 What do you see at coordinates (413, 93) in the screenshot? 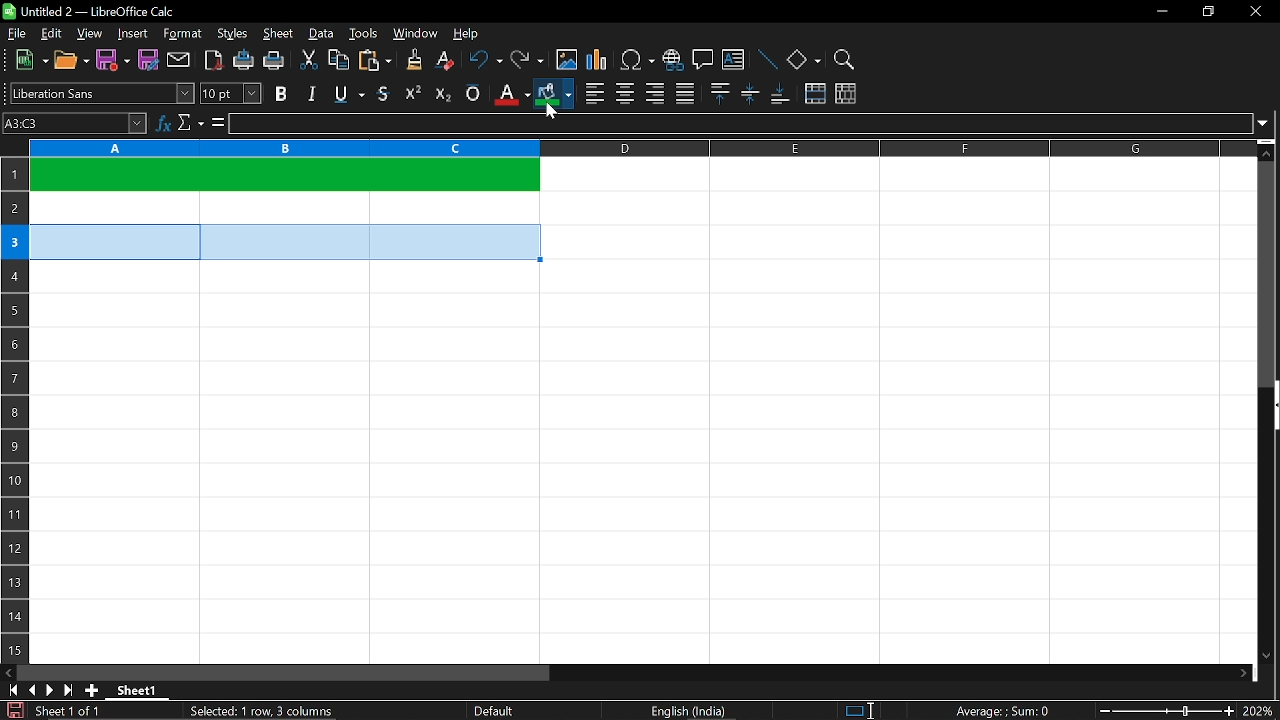
I see `supercript` at bounding box center [413, 93].